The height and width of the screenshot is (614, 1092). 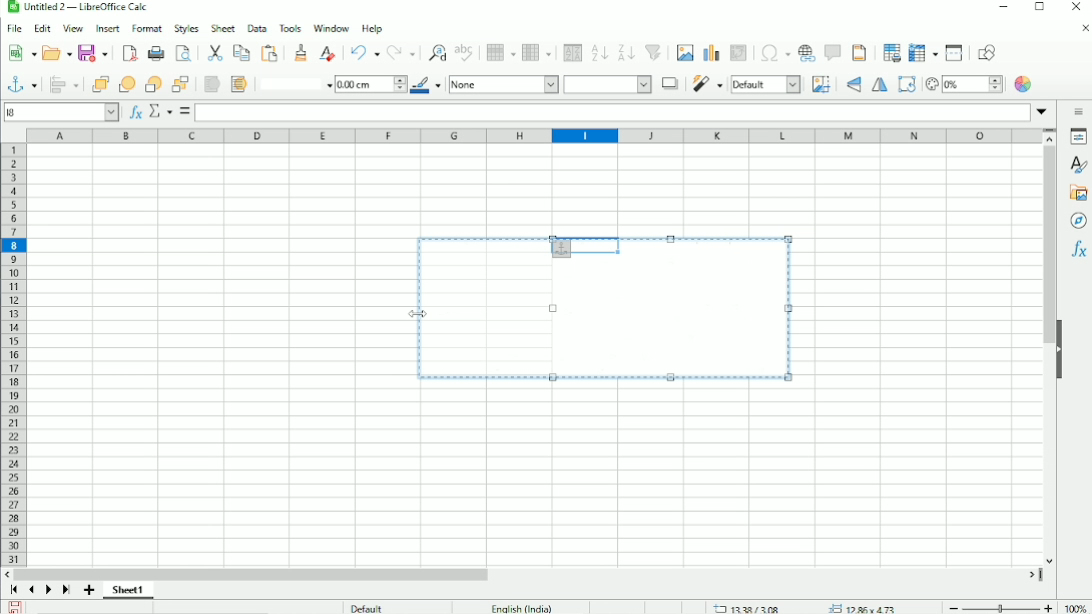 I want to click on Help, so click(x=372, y=28).